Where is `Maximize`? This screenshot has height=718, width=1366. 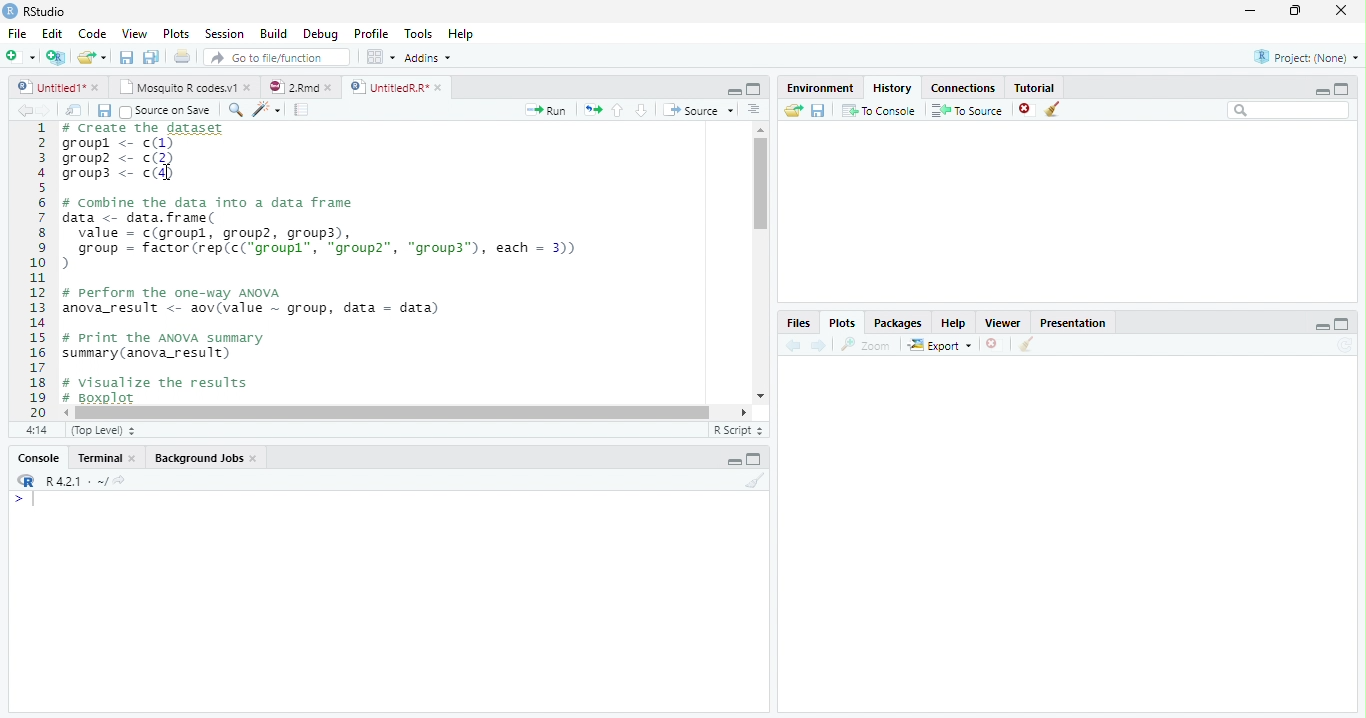 Maximize is located at coordinates (1297, 11).